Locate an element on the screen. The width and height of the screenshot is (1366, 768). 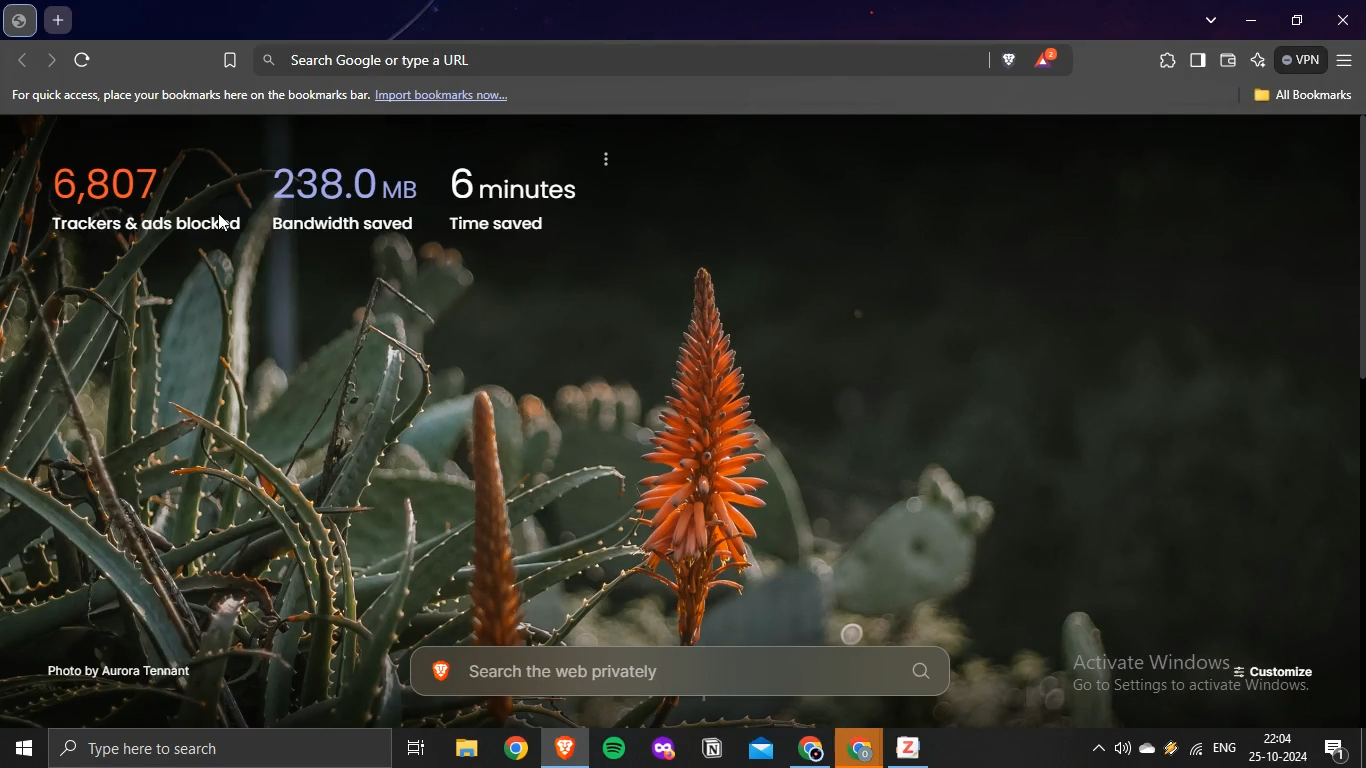
winamp agent is located at coordinates (1171, 746).